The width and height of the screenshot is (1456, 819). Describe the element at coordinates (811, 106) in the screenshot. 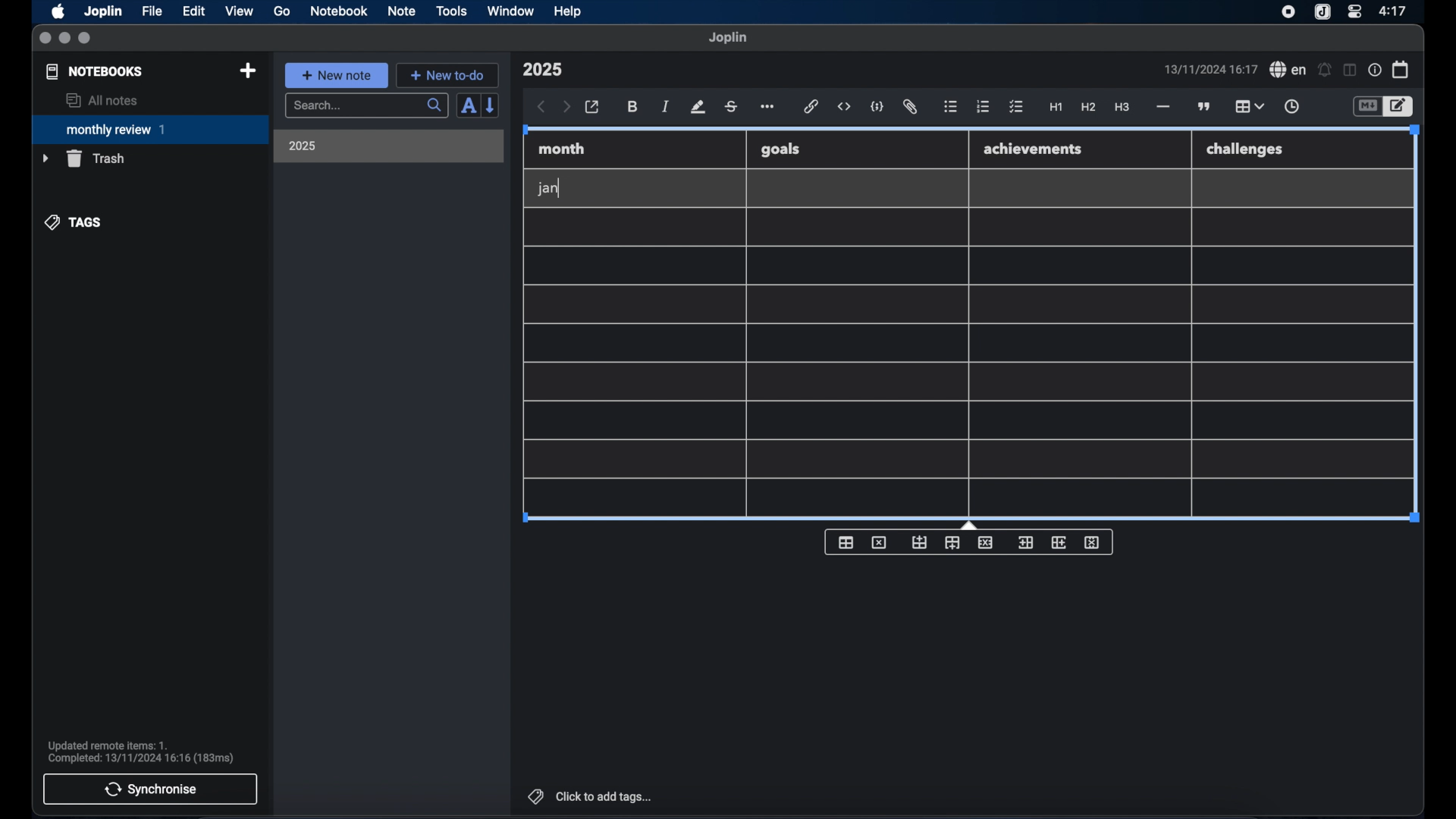

I see `hyperlink` at that location.